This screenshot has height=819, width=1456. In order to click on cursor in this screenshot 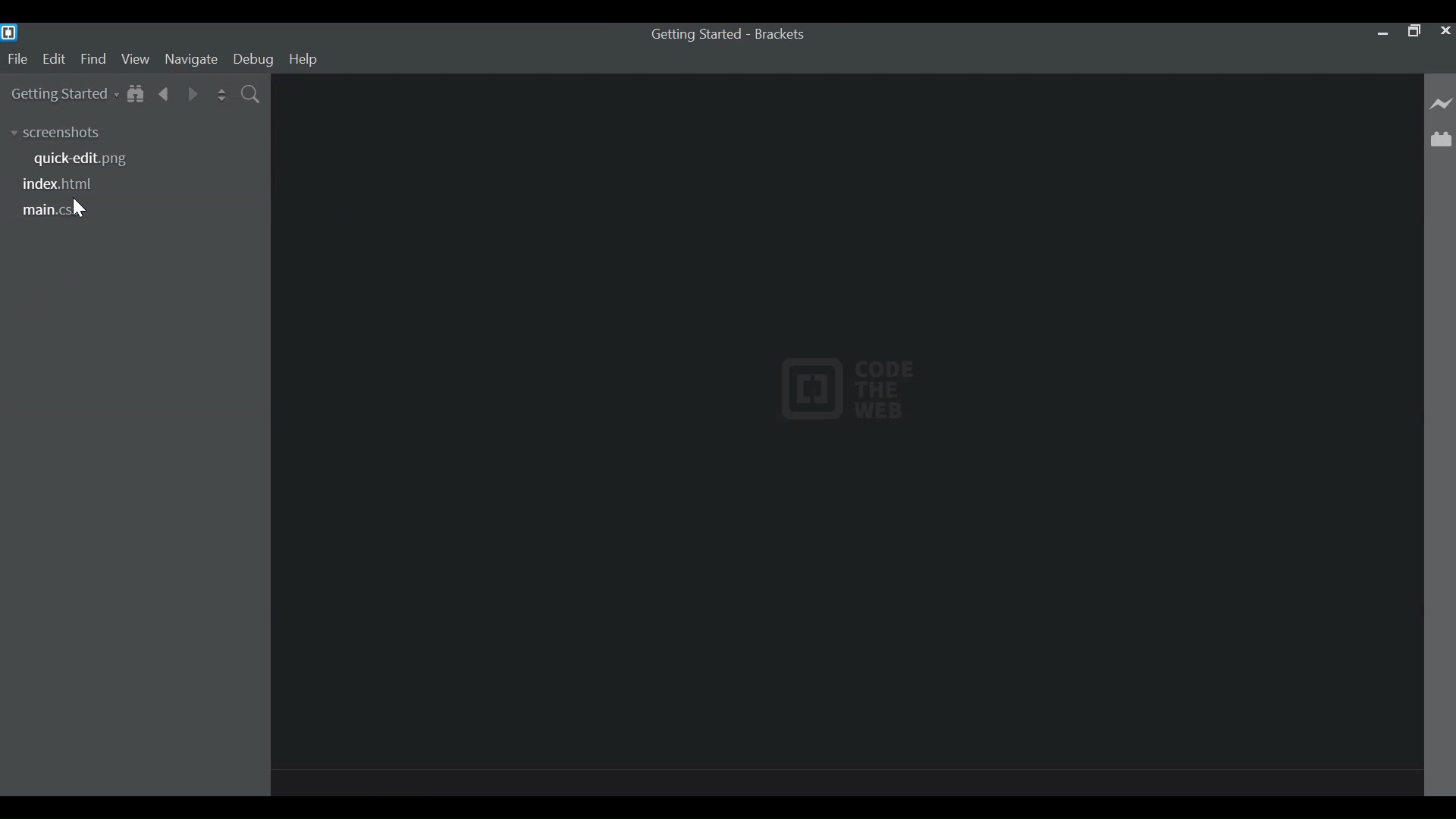, I will do `click(83, 212)`.